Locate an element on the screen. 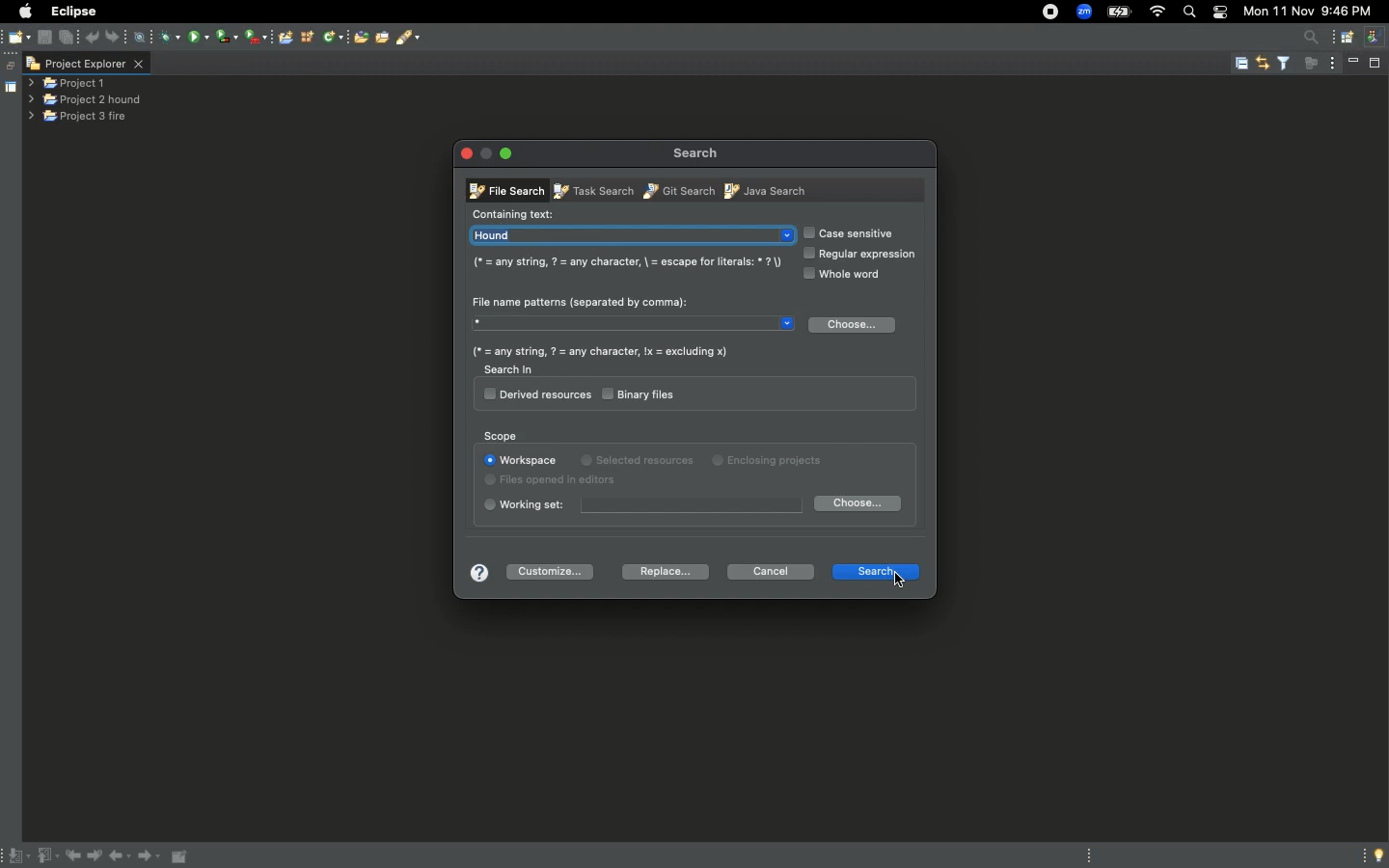 The height and width of the screenshot is (868, 1389). Cancel is located at coordinates (771, 573).